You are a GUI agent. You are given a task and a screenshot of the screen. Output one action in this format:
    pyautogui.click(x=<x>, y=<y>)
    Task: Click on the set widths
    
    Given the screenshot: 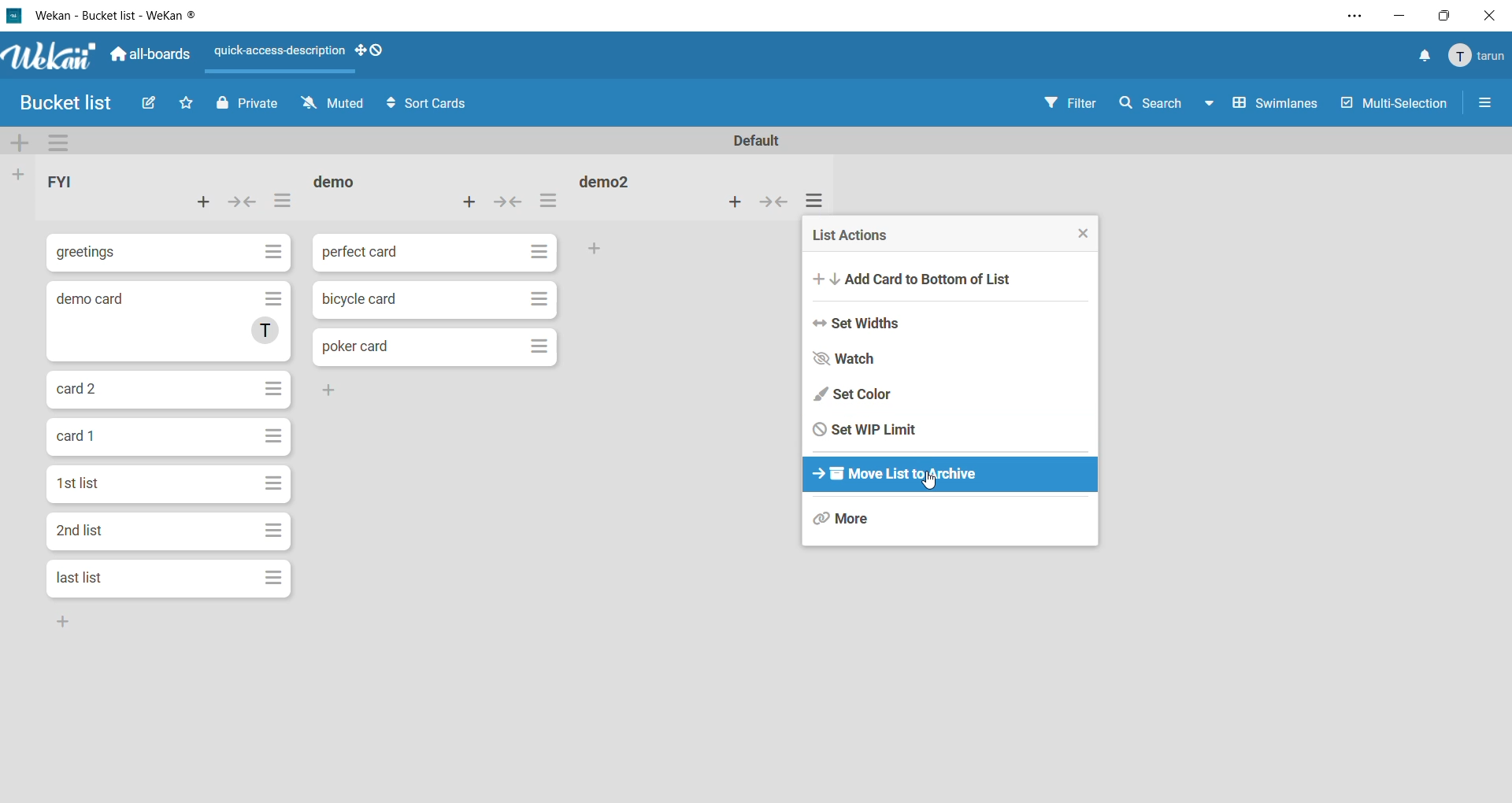 What is the action you would take?
    pyautogui.click(x=865, y=324)
    